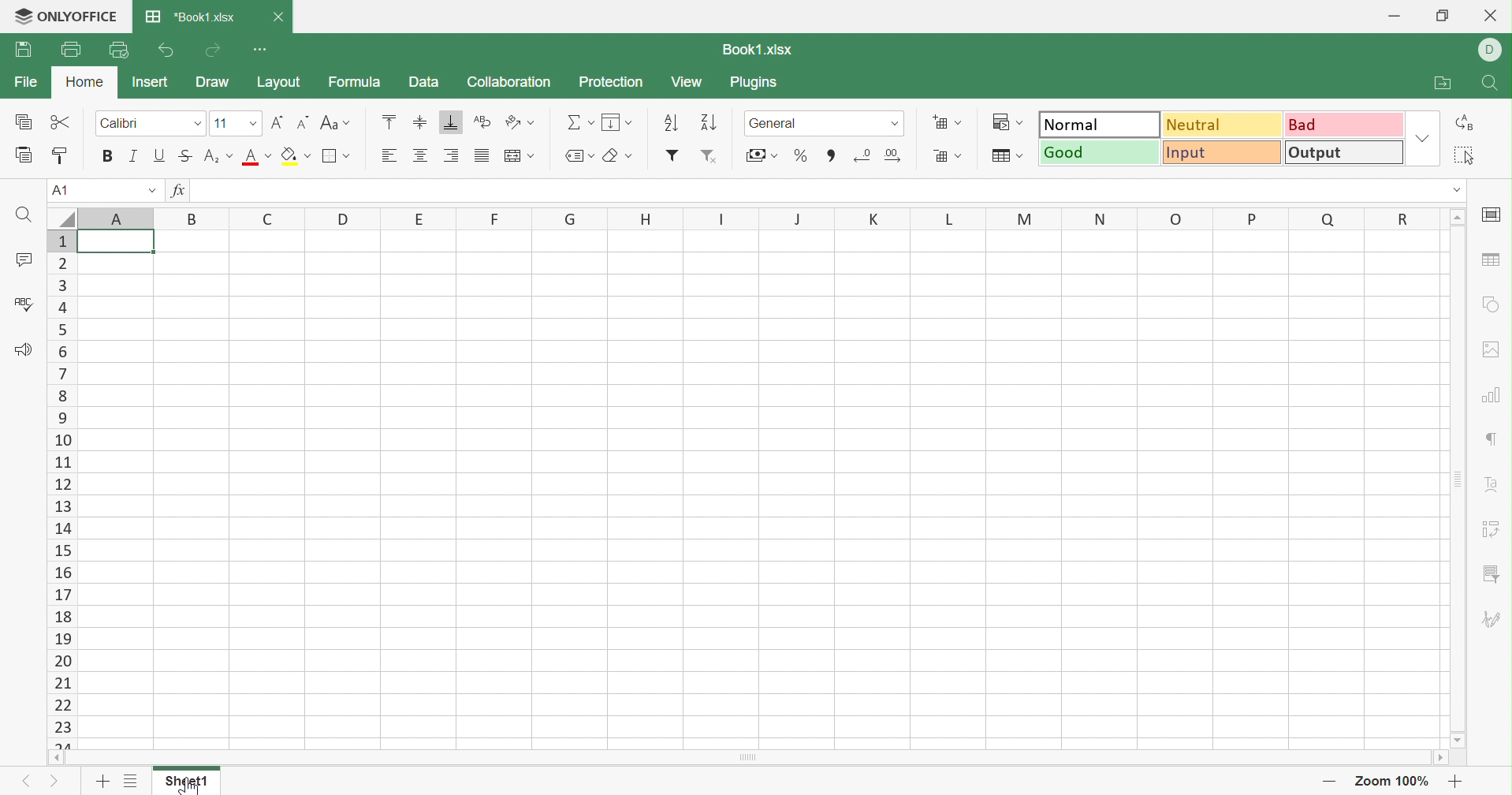 The width and height of the screenshot is (1512, 795). What do you see at coordinates (166, 50) in the screenshot?
I see `Undo` at bounding box center [166, 50].